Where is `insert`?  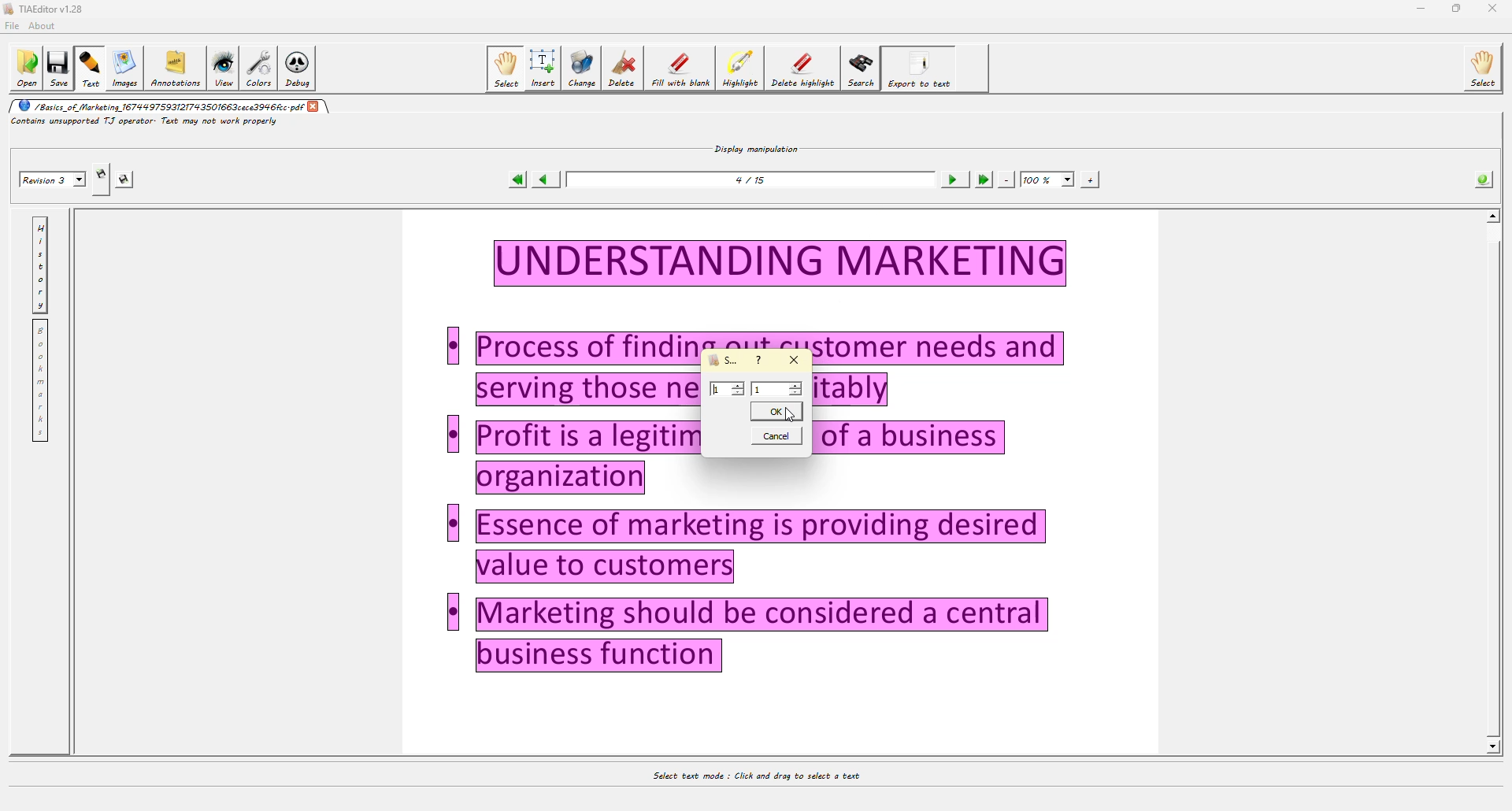
insert is located at coordinates (543, 69).